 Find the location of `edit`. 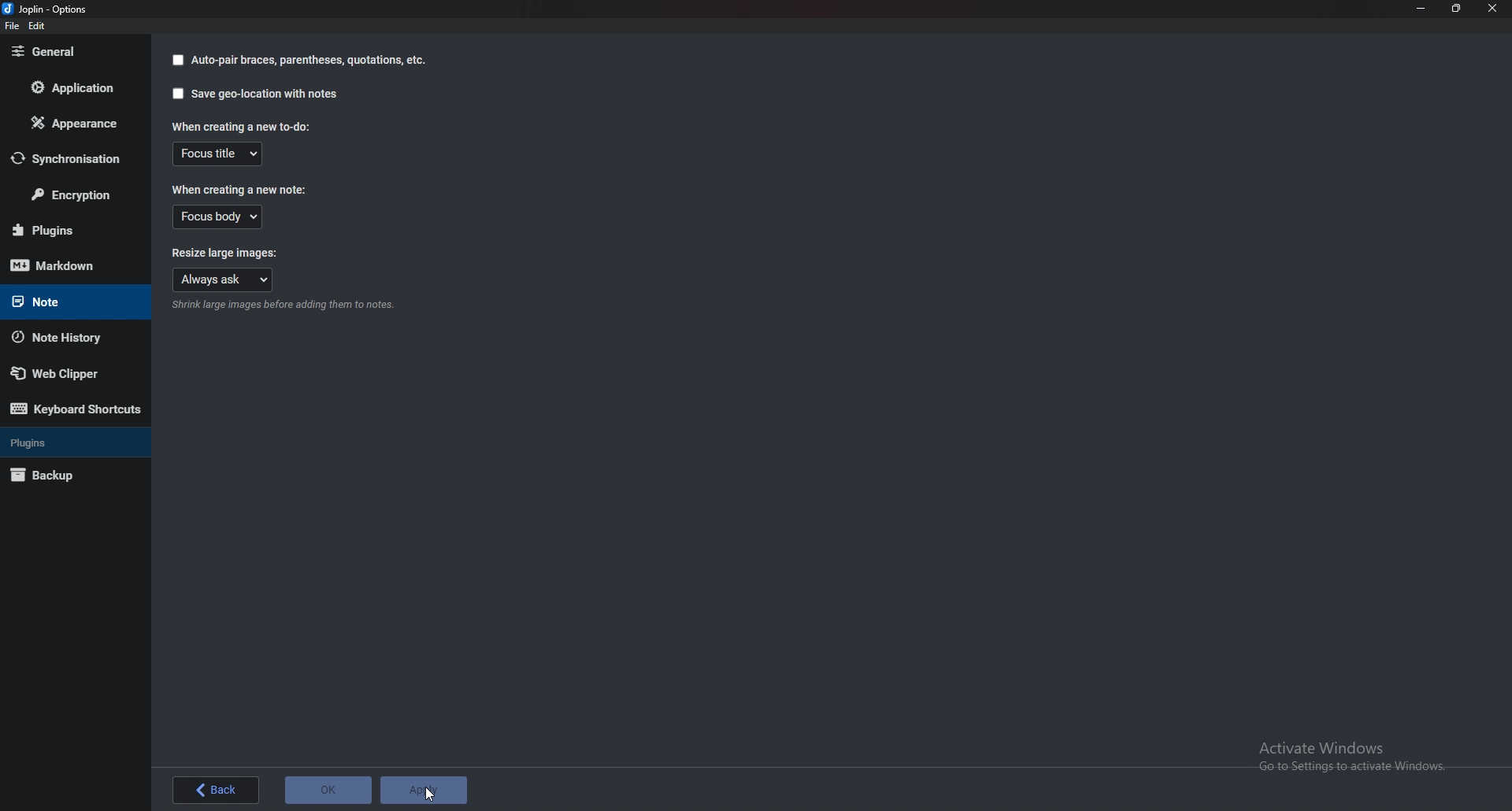

edit is located at coordinates (36, 26).